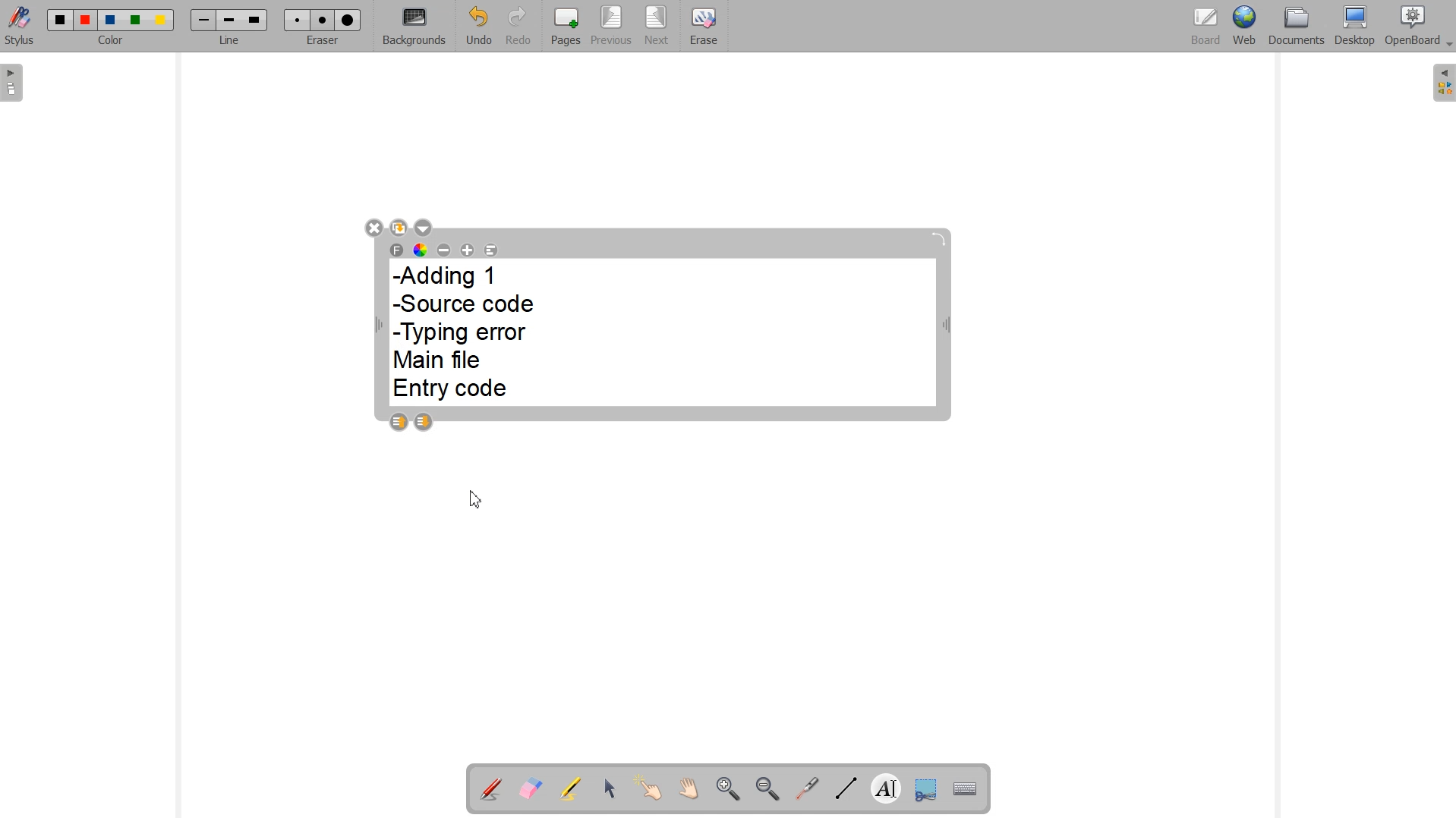 Image resolution: width=1456 pixels, height=818 pixels. Describe the element at coordinates (421, 250) in the screenshot. I see `Text color` at that location.